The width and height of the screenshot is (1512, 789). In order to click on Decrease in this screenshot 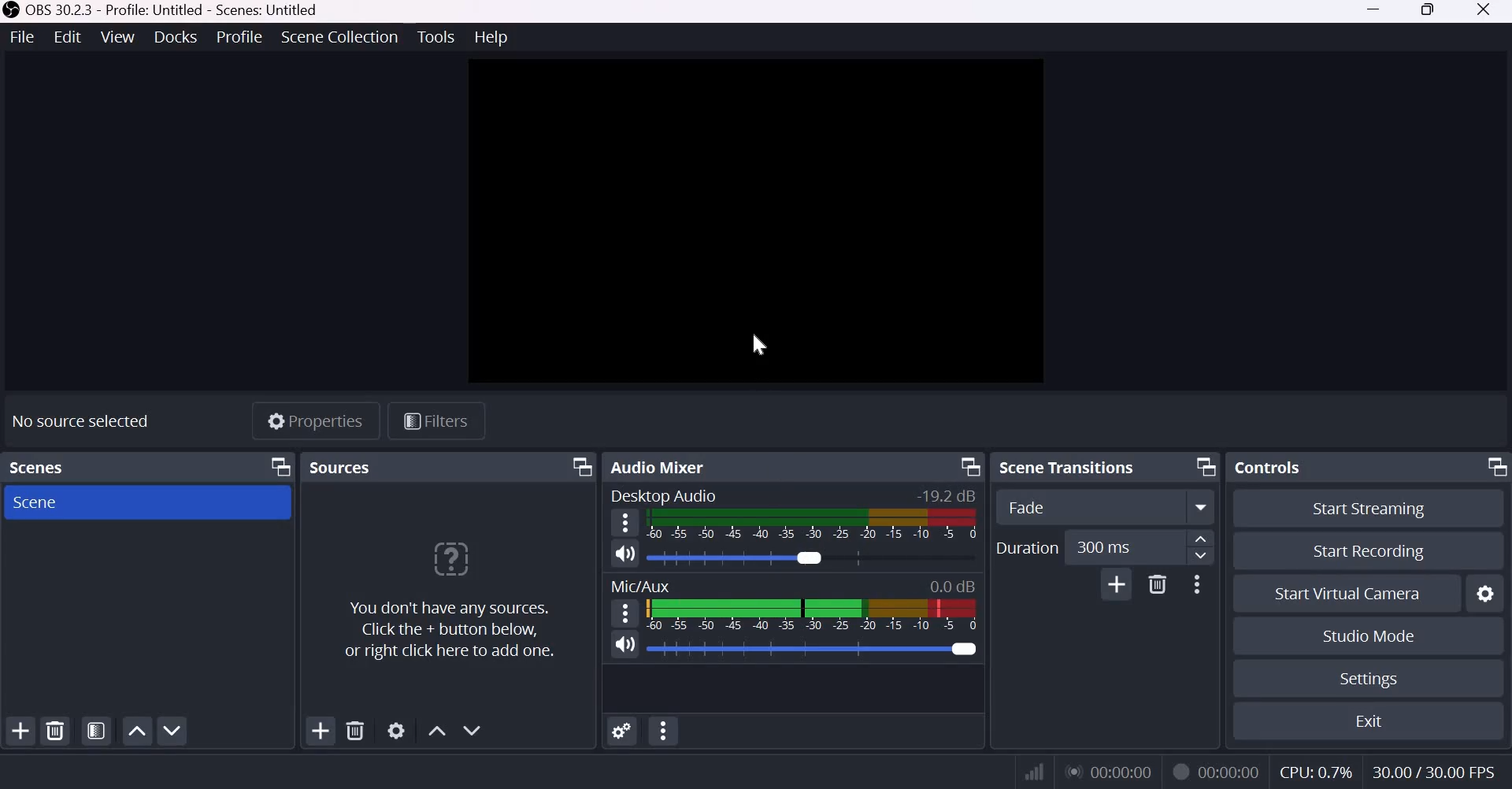, I will do `click(1203, 558)`.